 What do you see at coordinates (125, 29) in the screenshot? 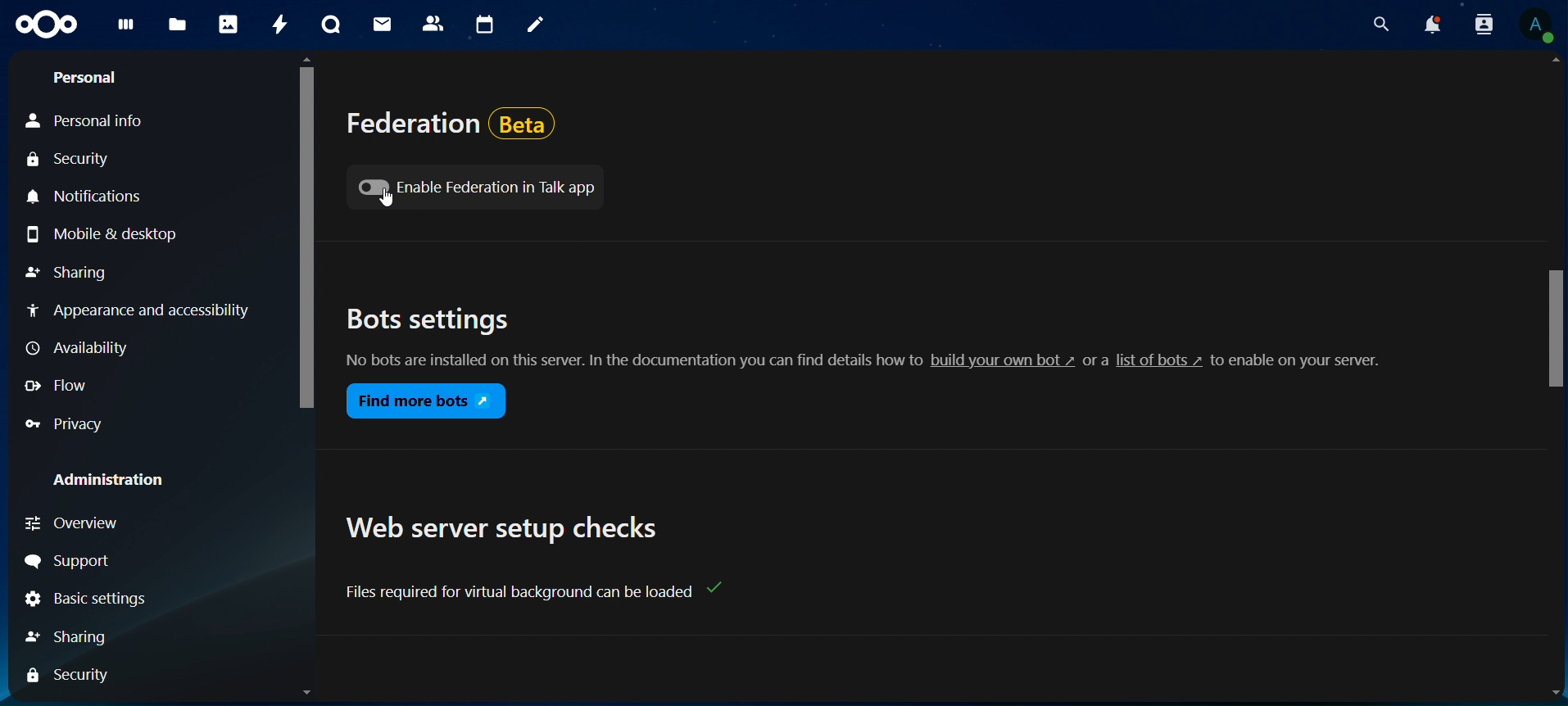
I see `dashboard` at bounding box center [125, 29].